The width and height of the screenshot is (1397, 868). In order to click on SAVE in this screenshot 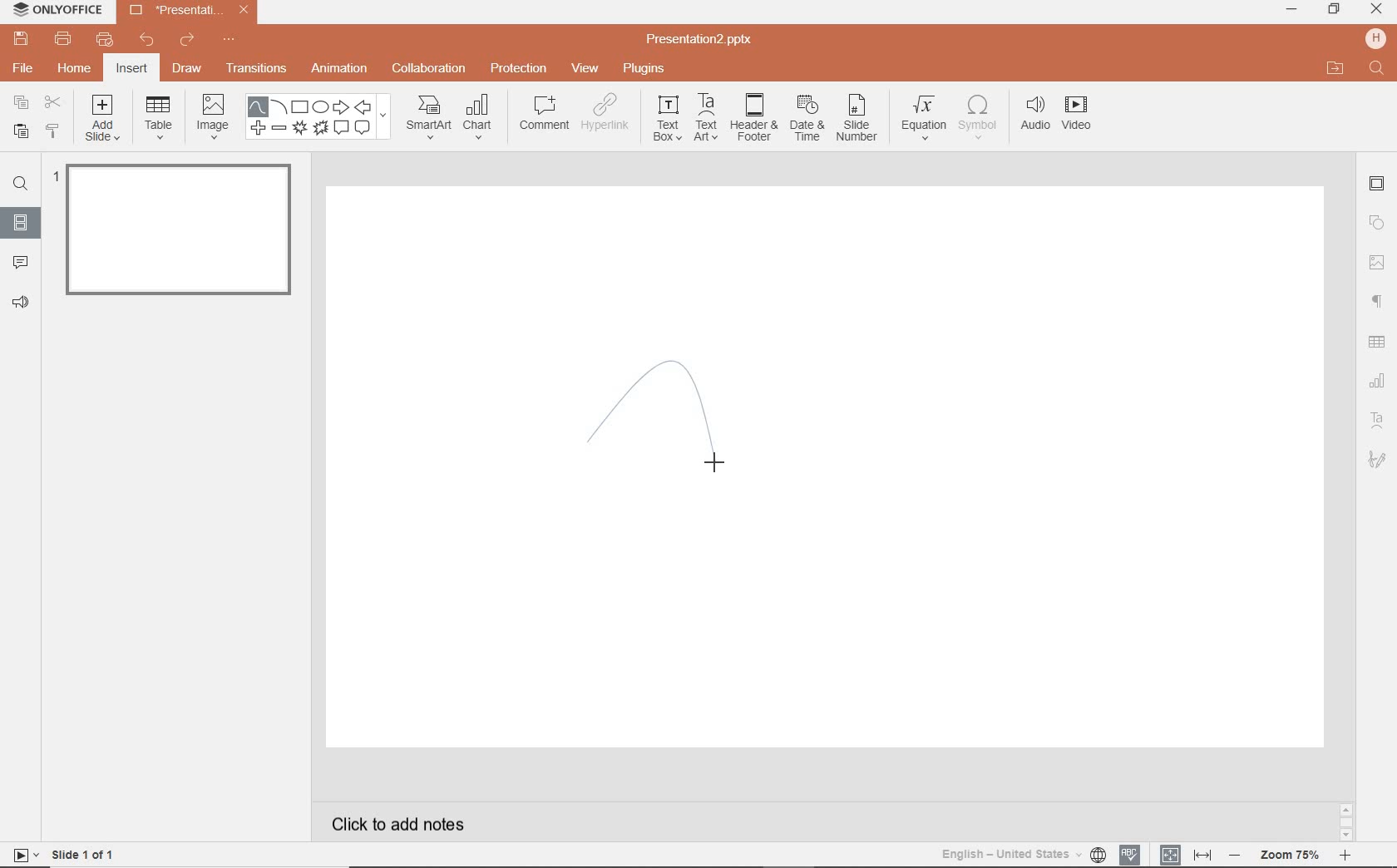, I will do `click(24, 40)`.